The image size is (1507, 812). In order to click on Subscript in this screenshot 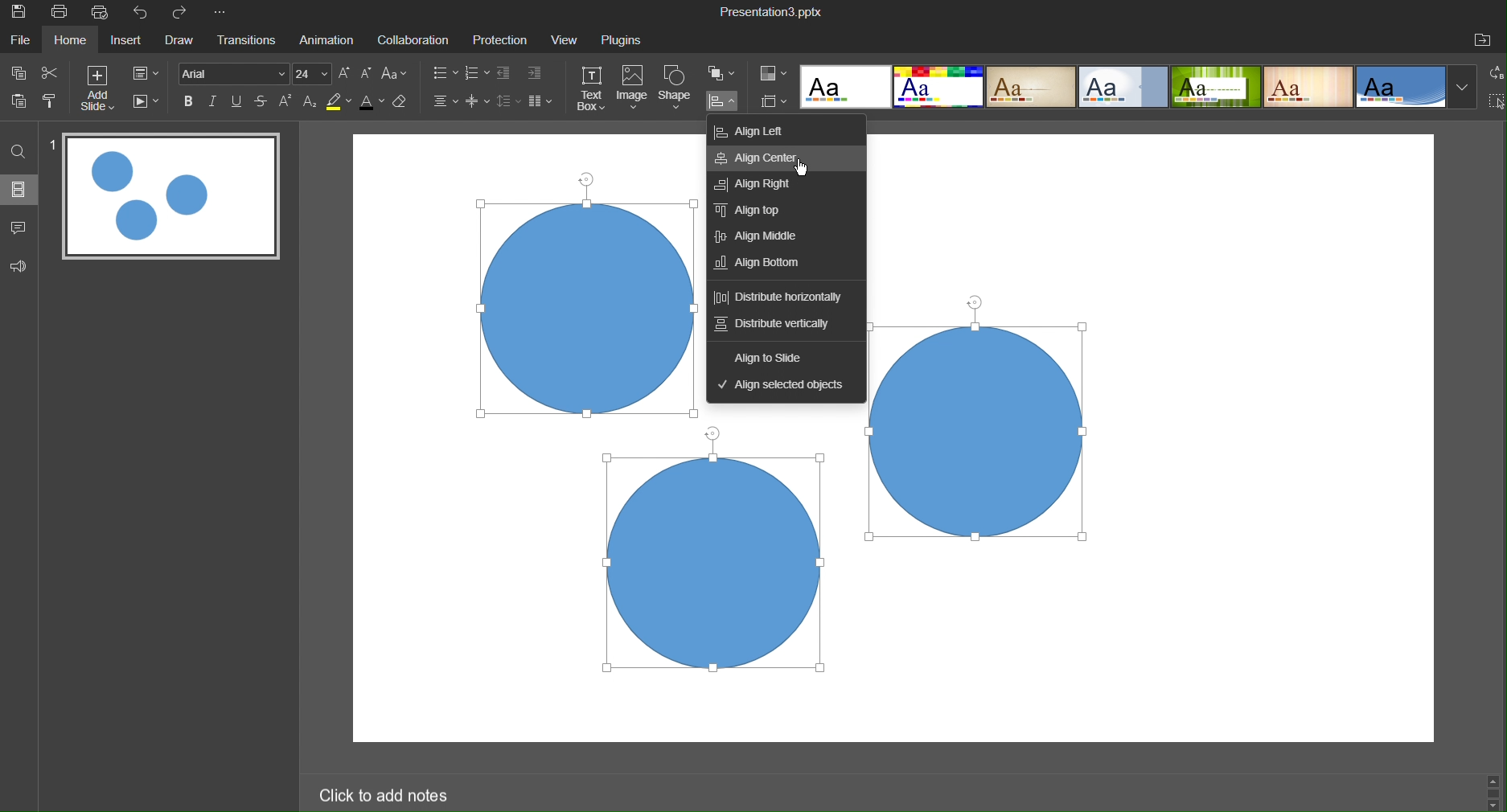, I will do `click(309, 103)`.